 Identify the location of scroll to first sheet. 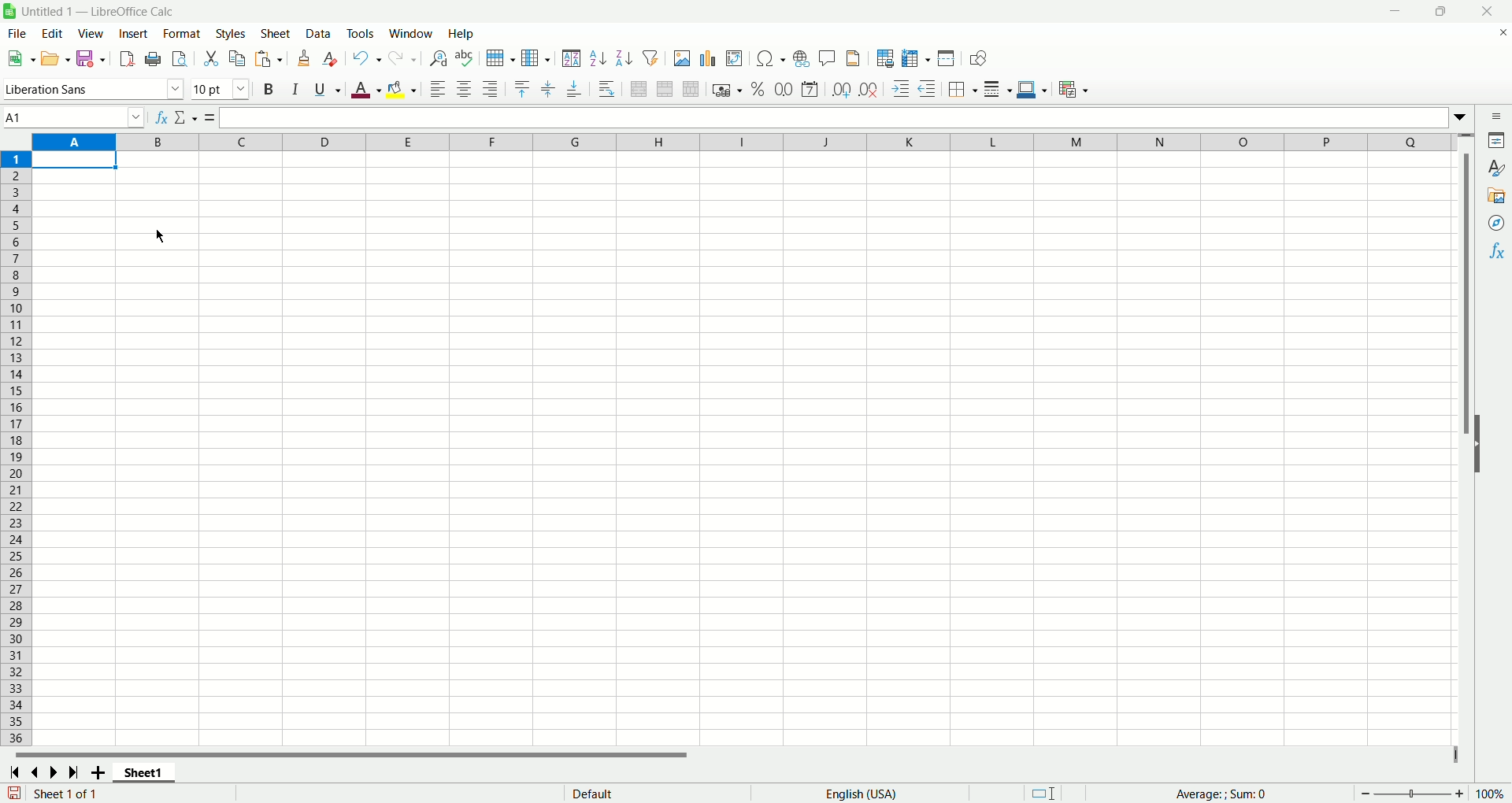
(16, 773).